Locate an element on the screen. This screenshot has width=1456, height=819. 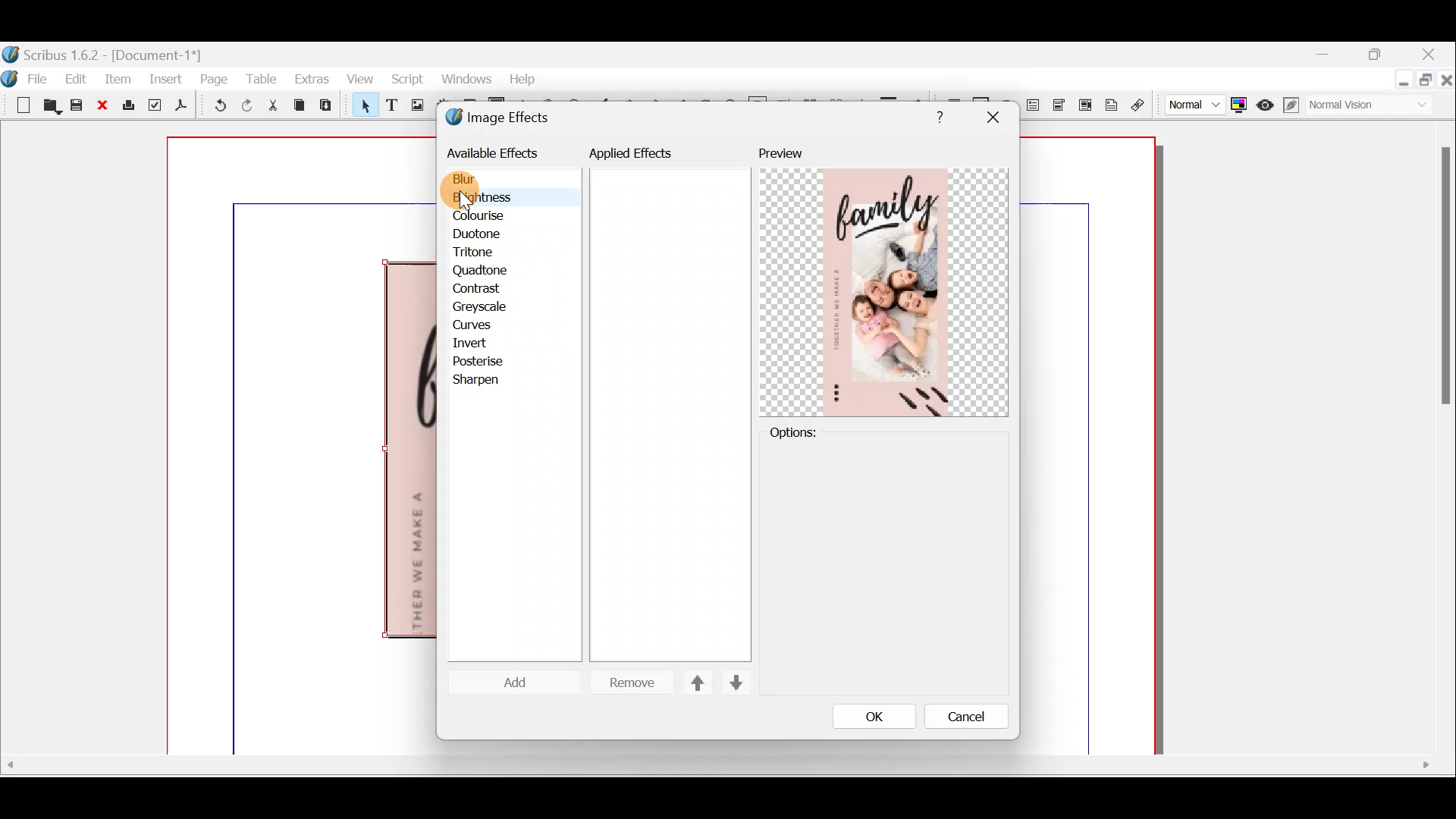
Logo is located at coordinates (11, 76).